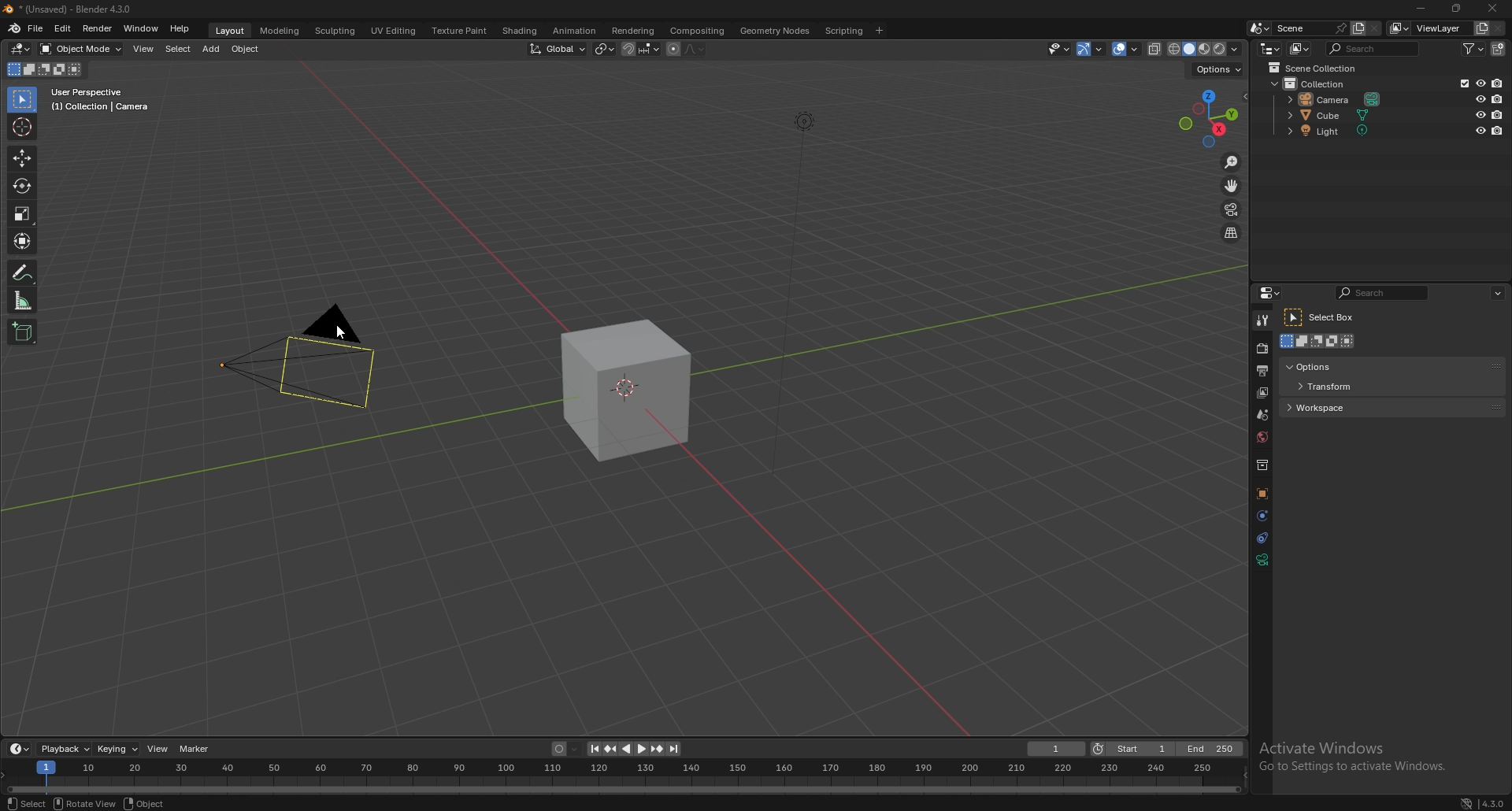  I want to click on jump to endpoint, so click(675, 749).